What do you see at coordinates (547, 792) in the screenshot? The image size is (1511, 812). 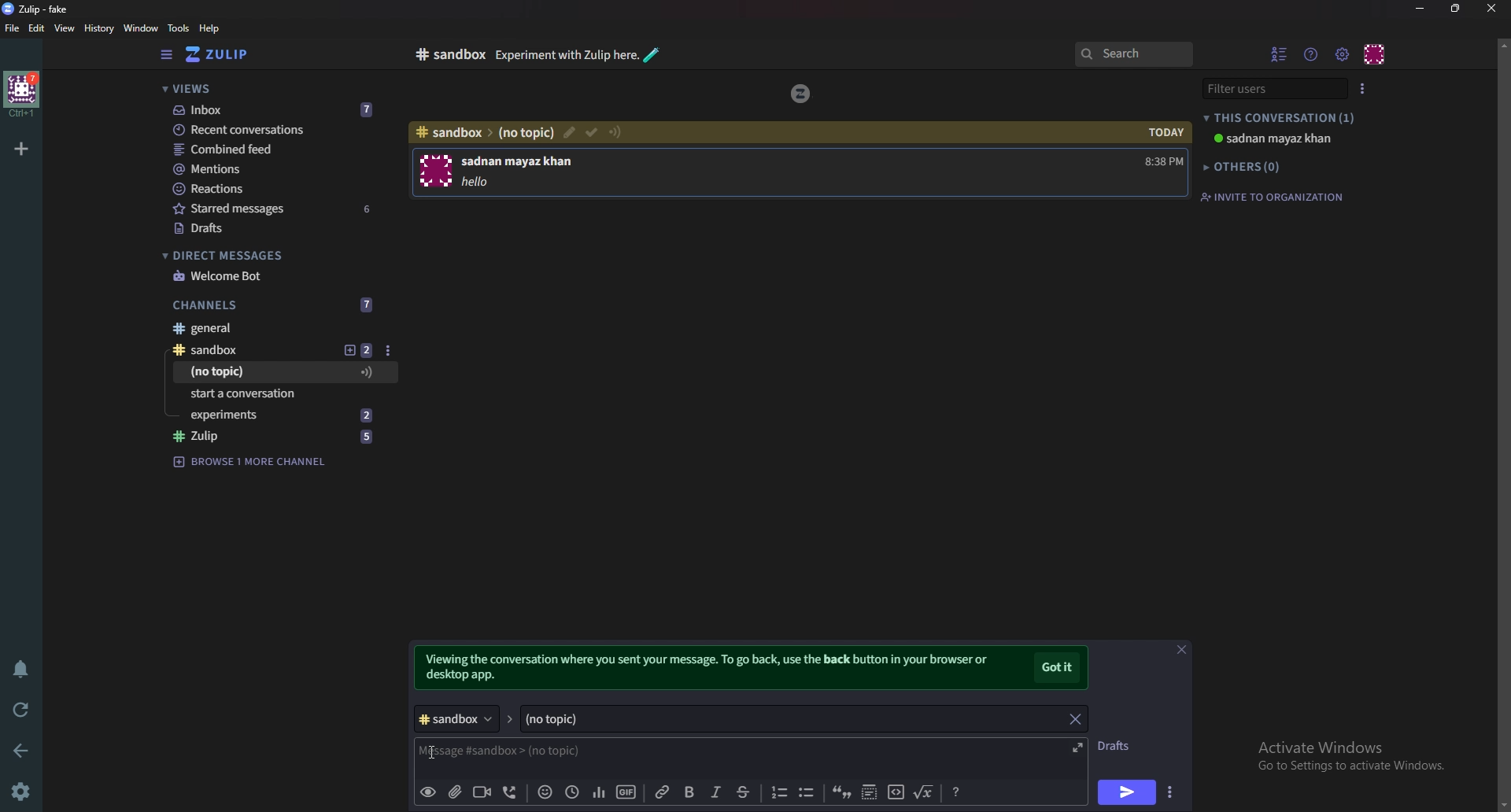 I see `Emoji` at bounding box center [547, 792].